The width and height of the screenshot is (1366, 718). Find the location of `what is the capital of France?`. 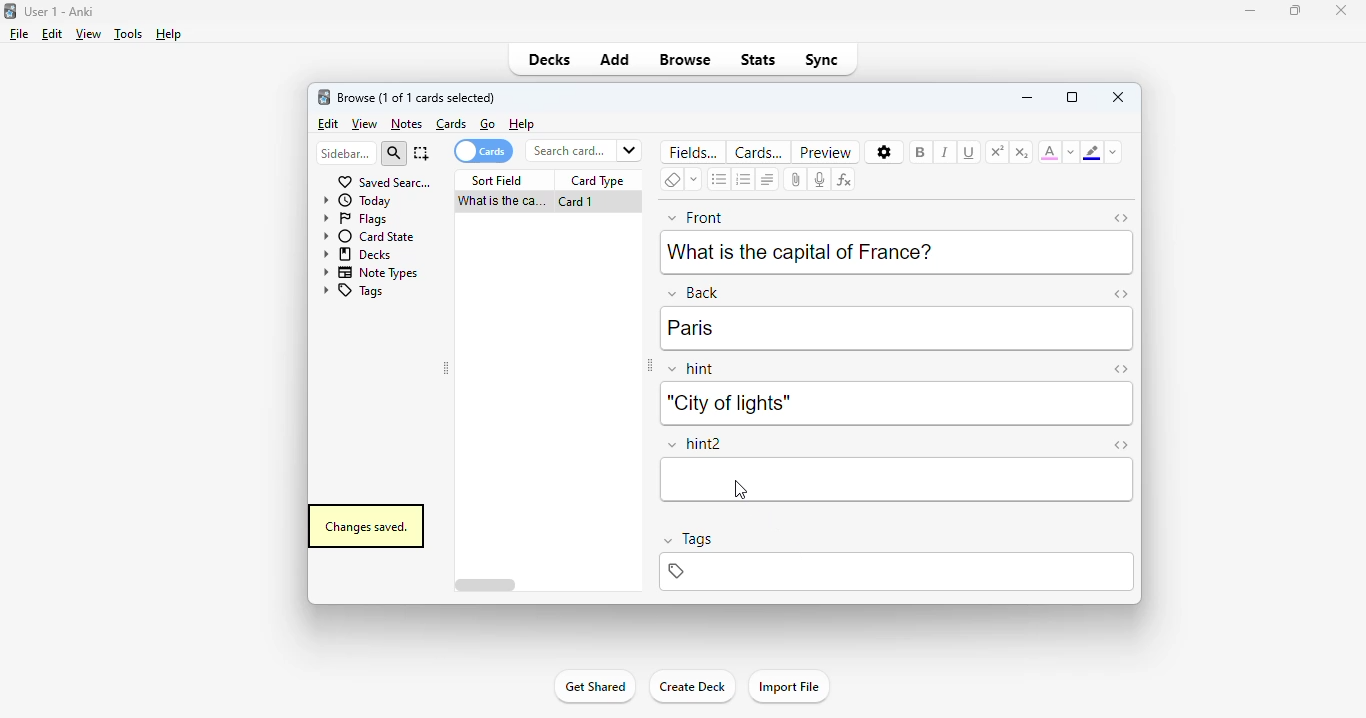

what is the capital of France? is located at coordinates (499, 202).